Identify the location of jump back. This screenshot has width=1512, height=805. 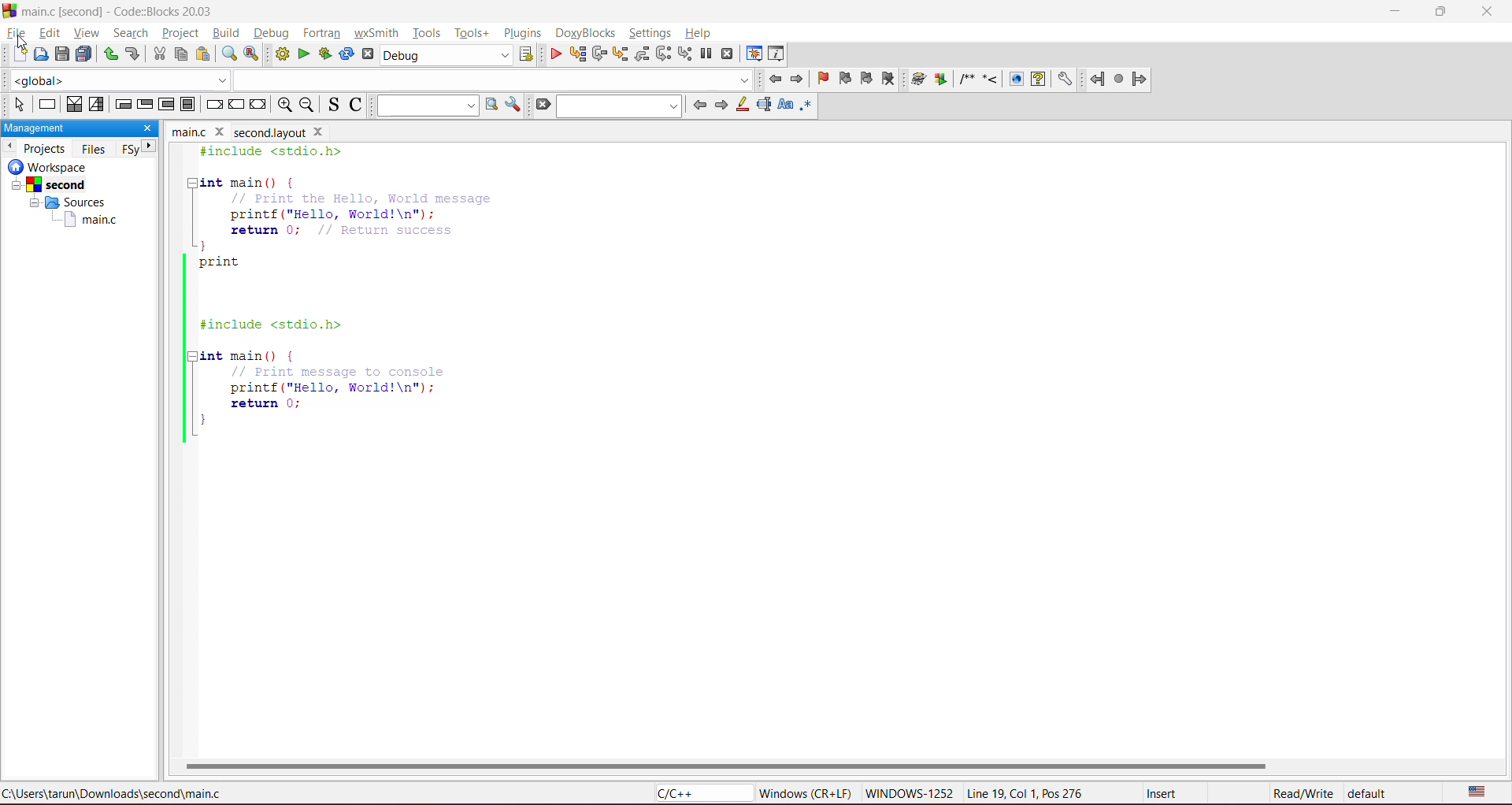
(777, 80).